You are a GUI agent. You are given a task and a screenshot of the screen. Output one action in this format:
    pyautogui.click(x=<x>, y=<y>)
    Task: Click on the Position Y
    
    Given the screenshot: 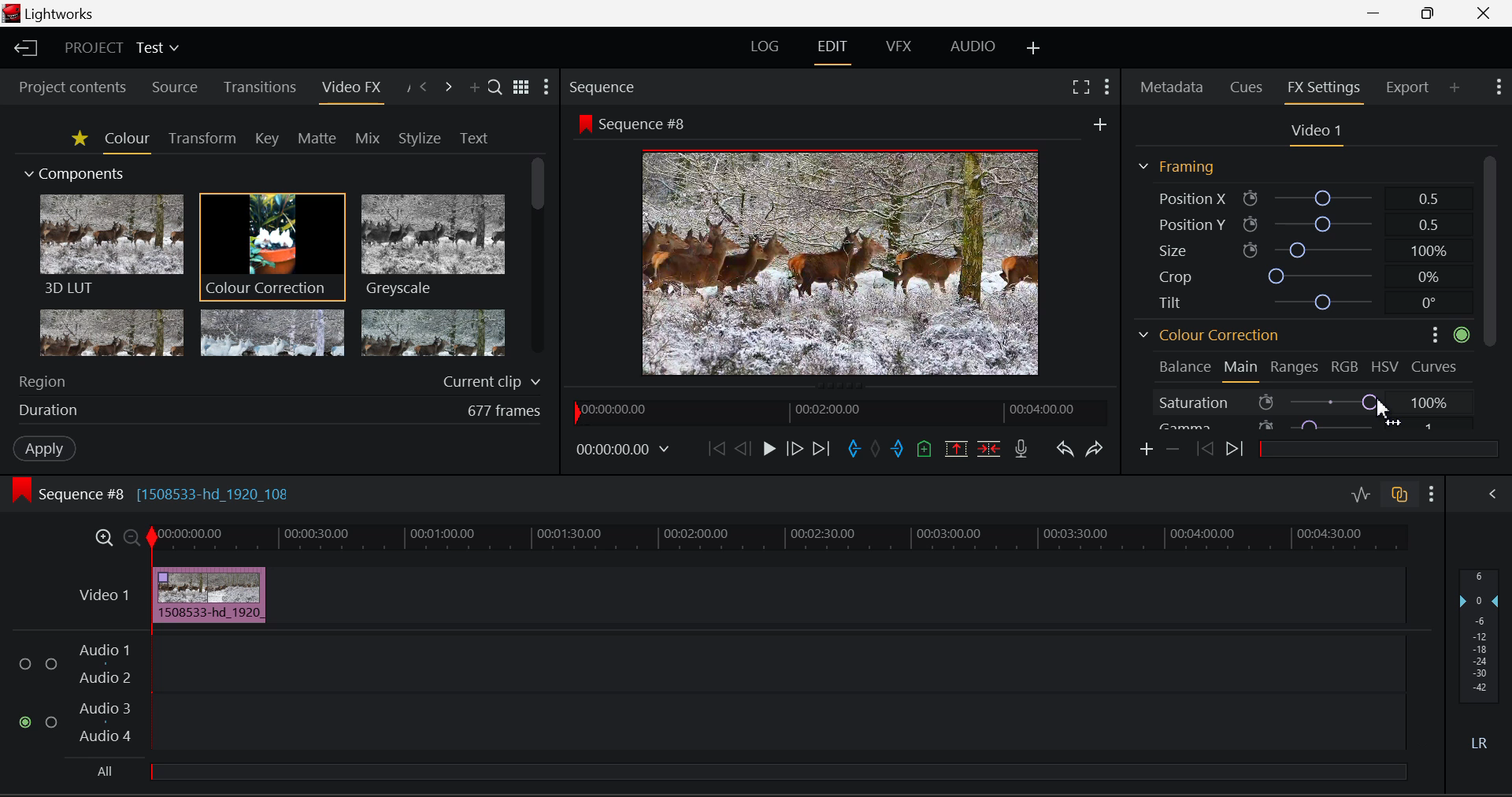 What is the action you would take?
    pyautogui.click(x=1298, y=224)
    